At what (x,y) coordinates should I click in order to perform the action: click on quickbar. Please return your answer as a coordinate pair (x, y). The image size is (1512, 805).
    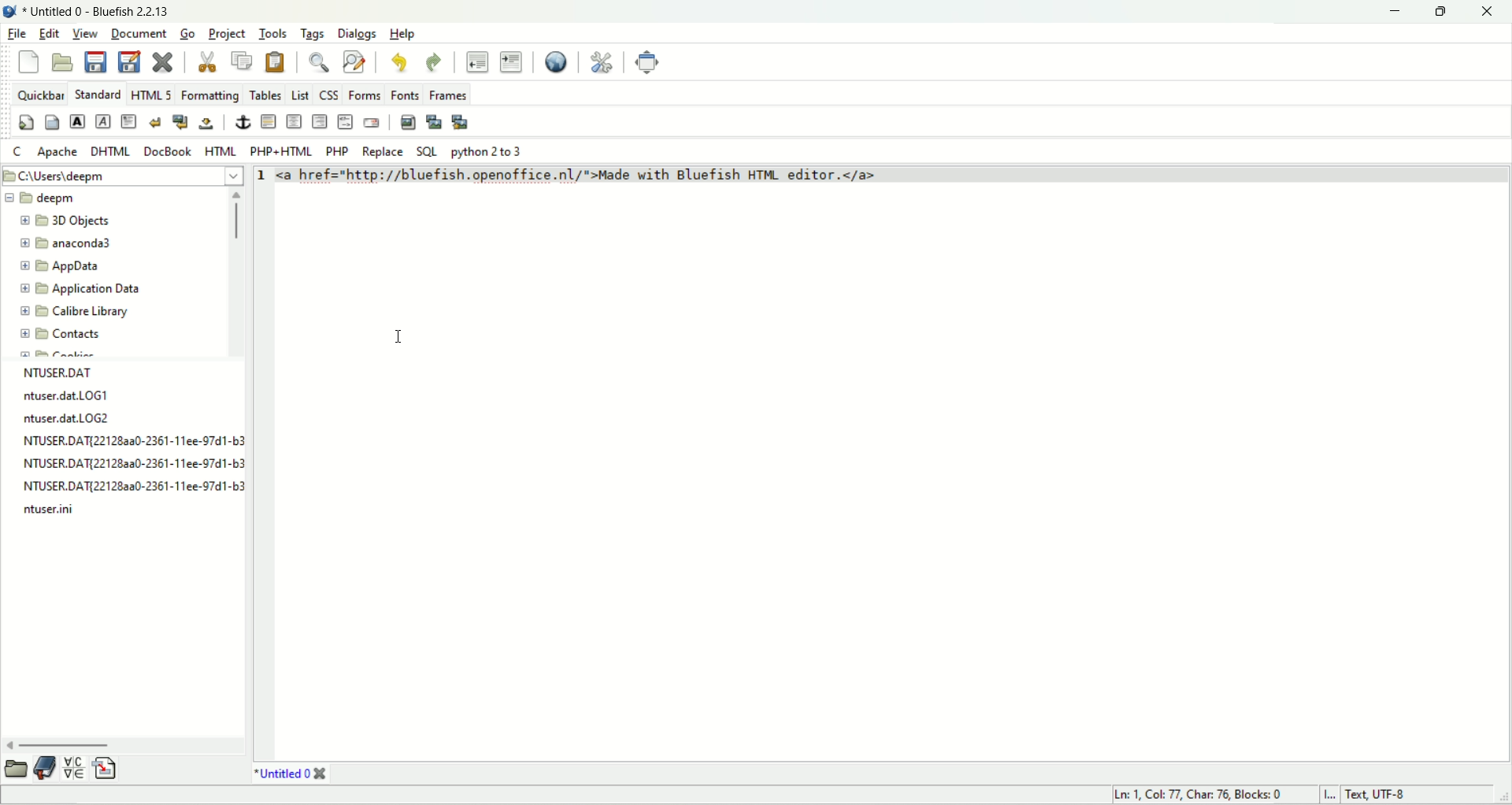
    Looking at the image, I should click on (41, 95).